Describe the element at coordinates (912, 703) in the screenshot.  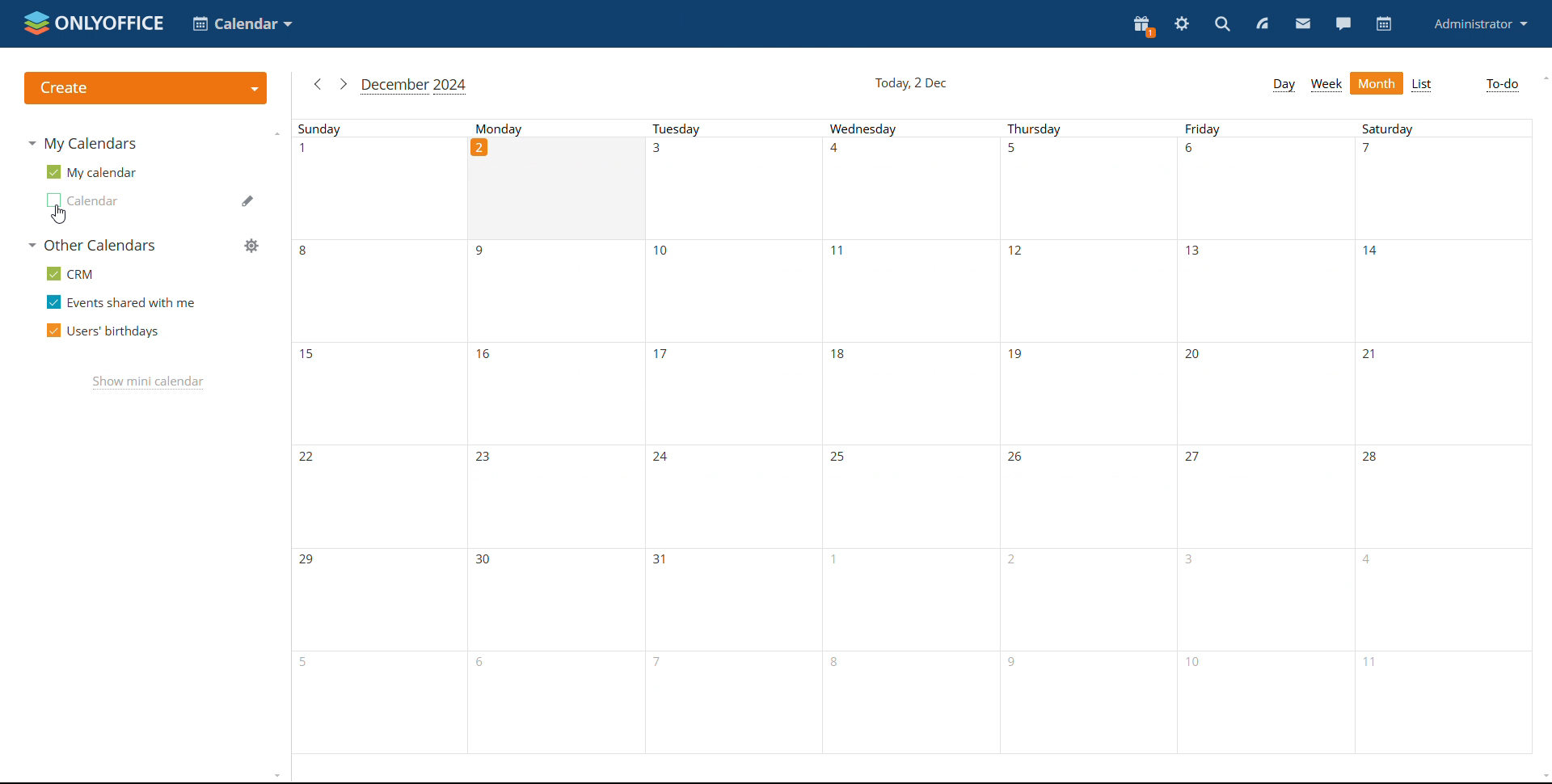
I see `8` at that location.